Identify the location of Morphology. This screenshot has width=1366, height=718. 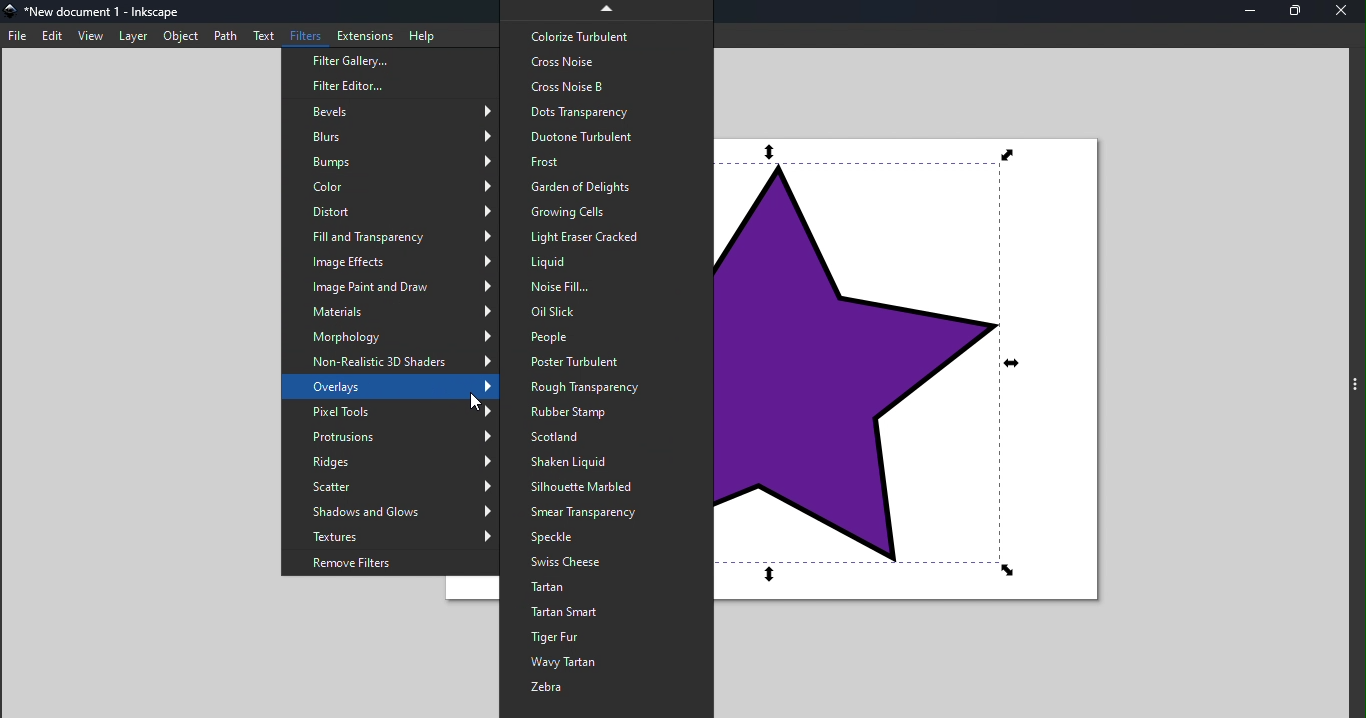
(390, 335).